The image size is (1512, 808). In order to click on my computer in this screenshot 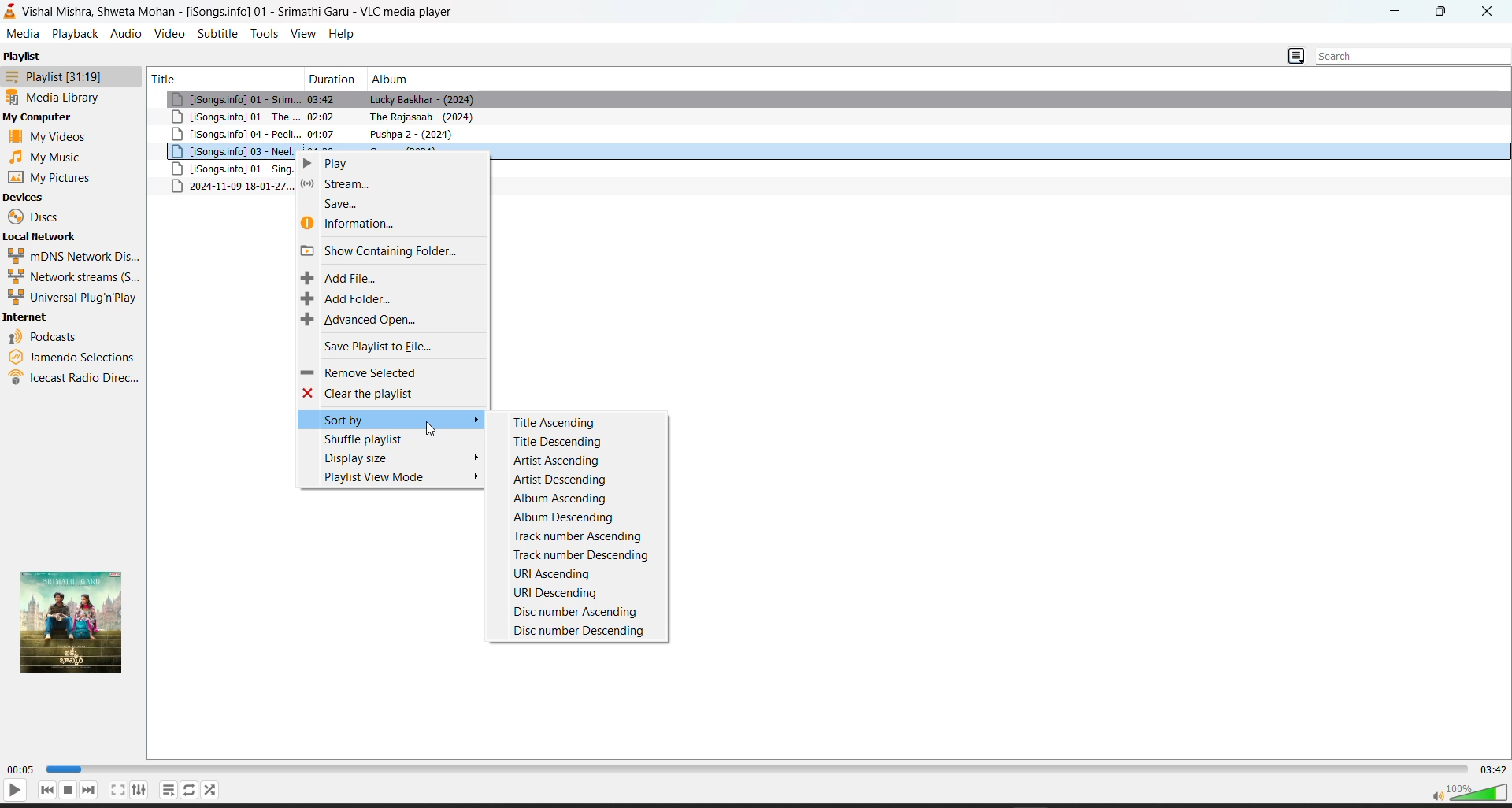, I will do `click(39, 117)`.